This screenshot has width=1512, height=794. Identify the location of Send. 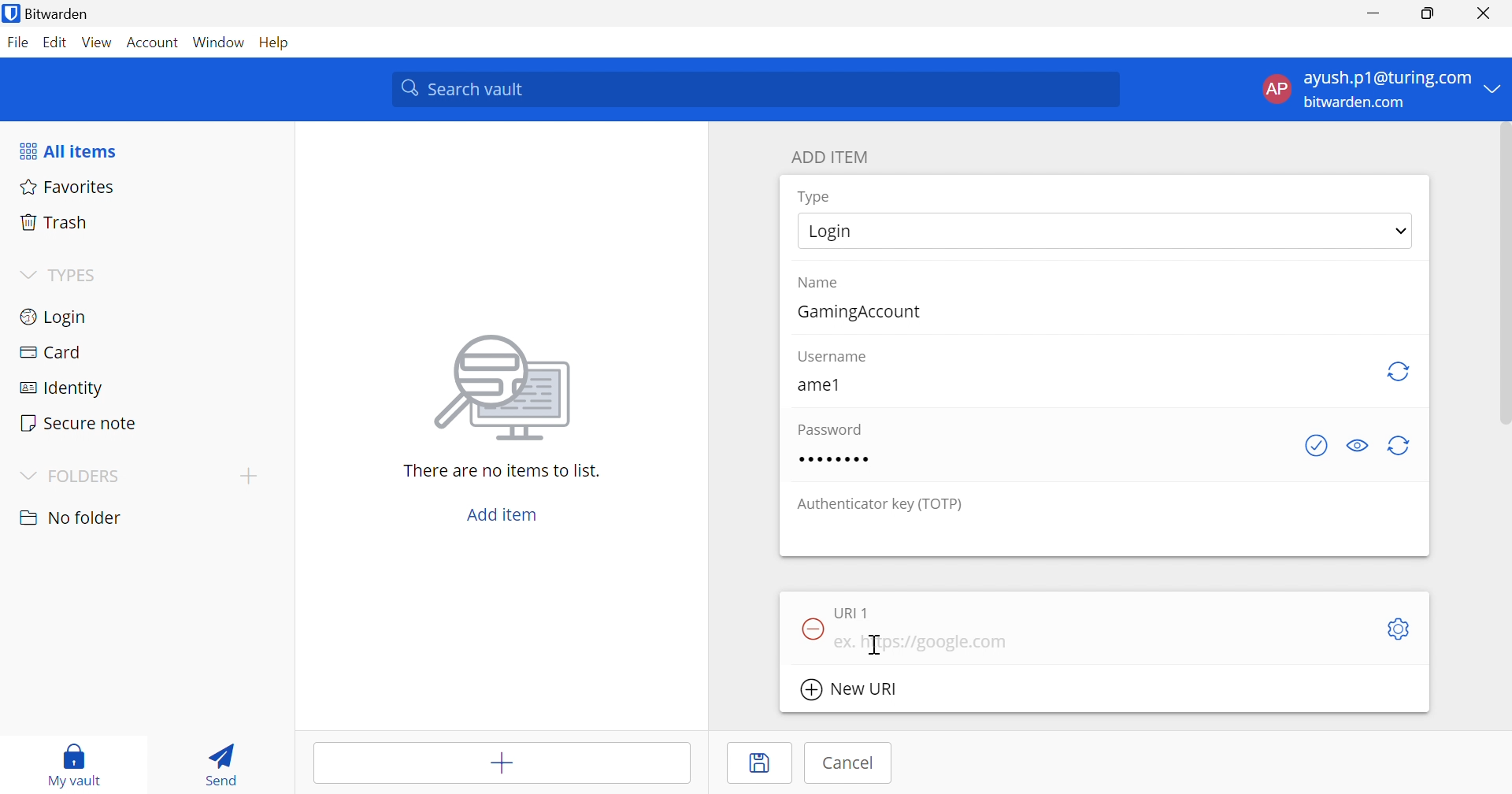
(220, 762).